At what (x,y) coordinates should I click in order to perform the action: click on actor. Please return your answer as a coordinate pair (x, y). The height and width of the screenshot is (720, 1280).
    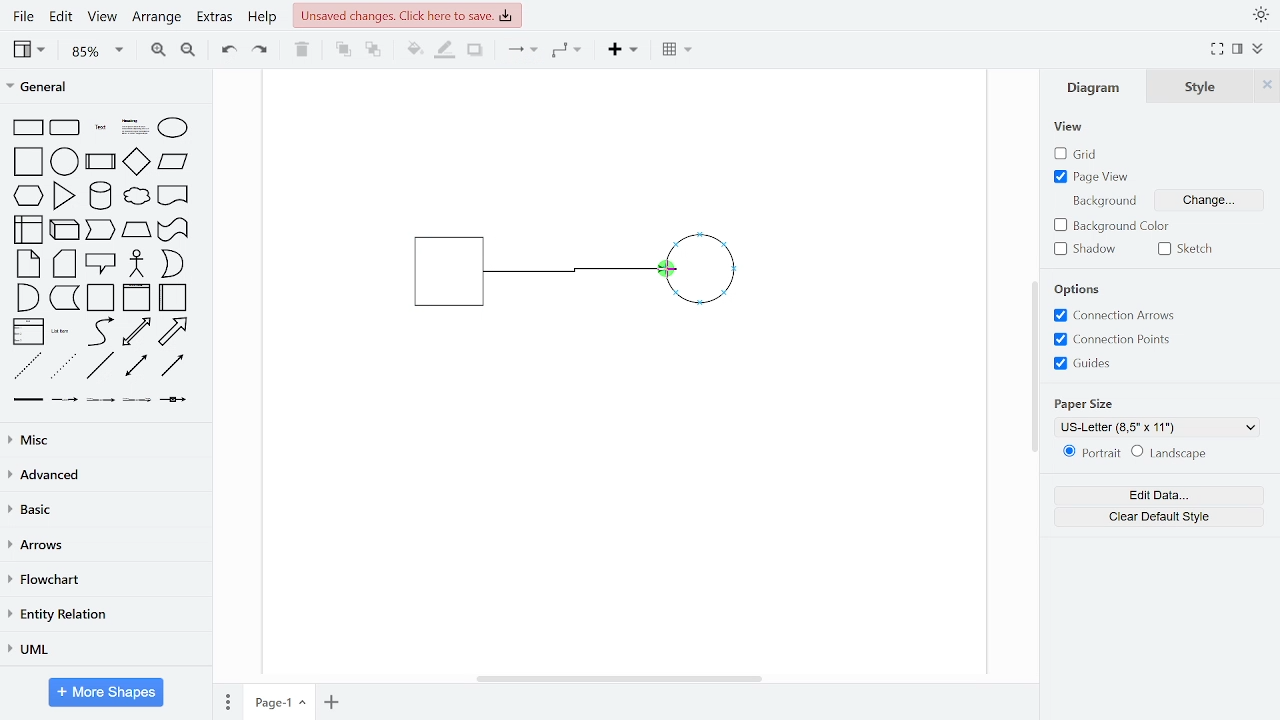
    Looking at the image, I should click on (138, 265).